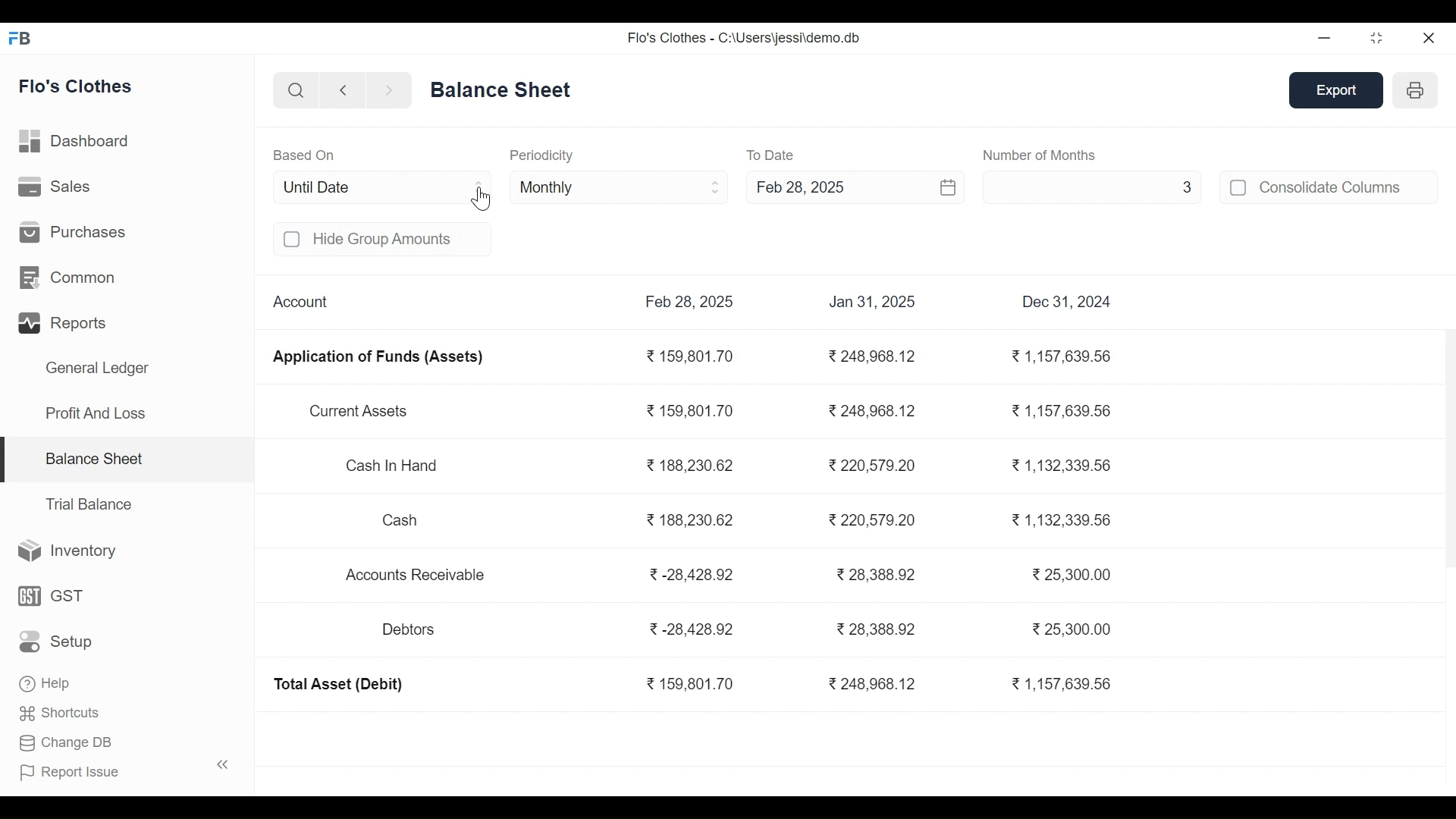 This screenshot has height=819, width=1456. I want to click on calendar, so click(949, 187).